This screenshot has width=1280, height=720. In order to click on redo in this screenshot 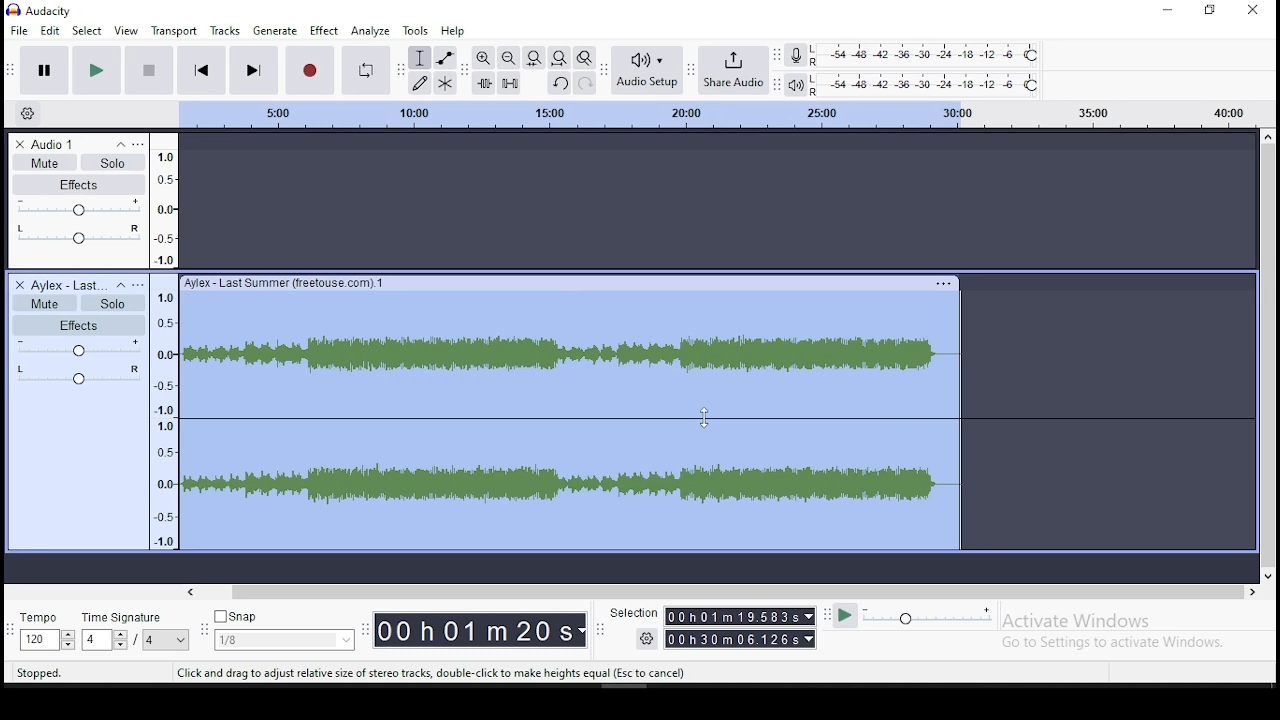, I will do `click(584, 83)`.